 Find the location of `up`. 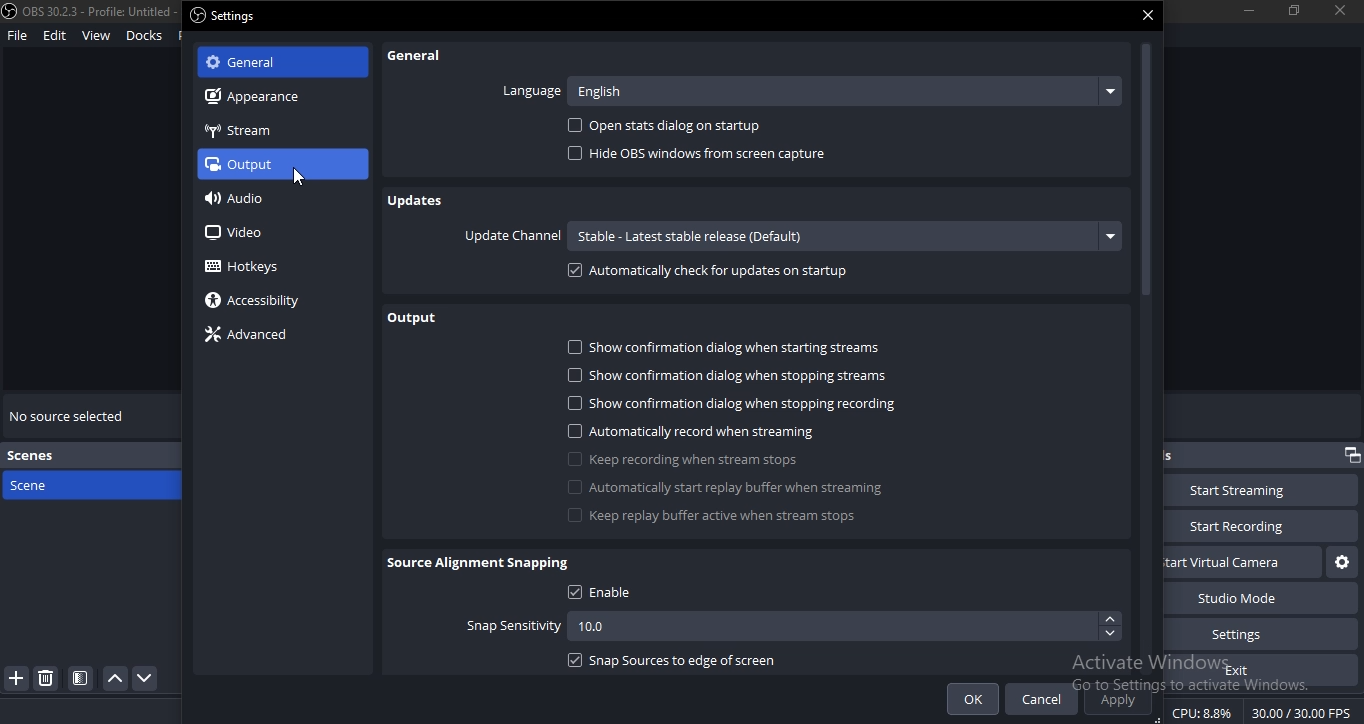

up is located at coordinates (1110, 620).